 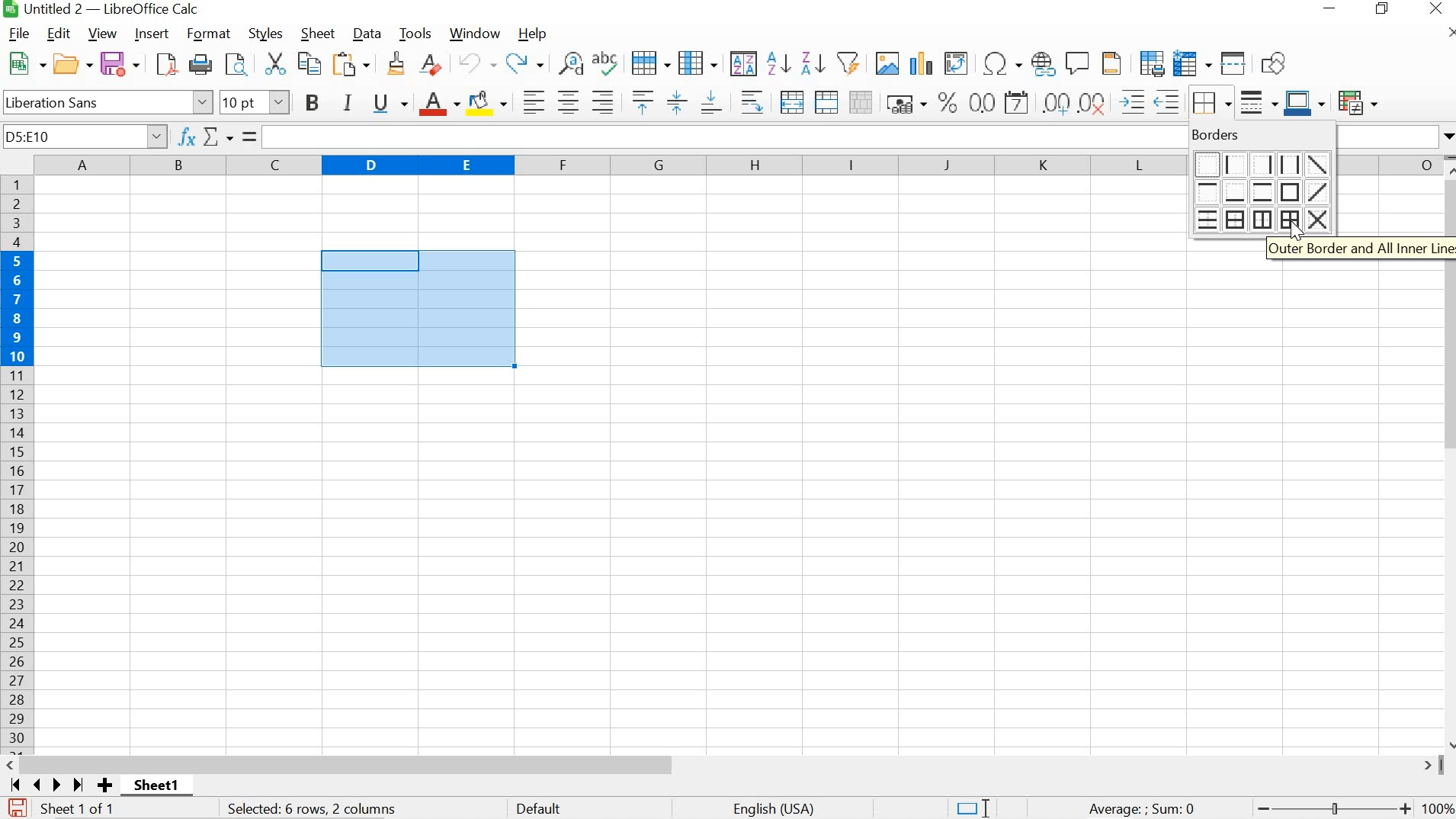 I want to click on FONT COLOR, so click(x=438, y=104).